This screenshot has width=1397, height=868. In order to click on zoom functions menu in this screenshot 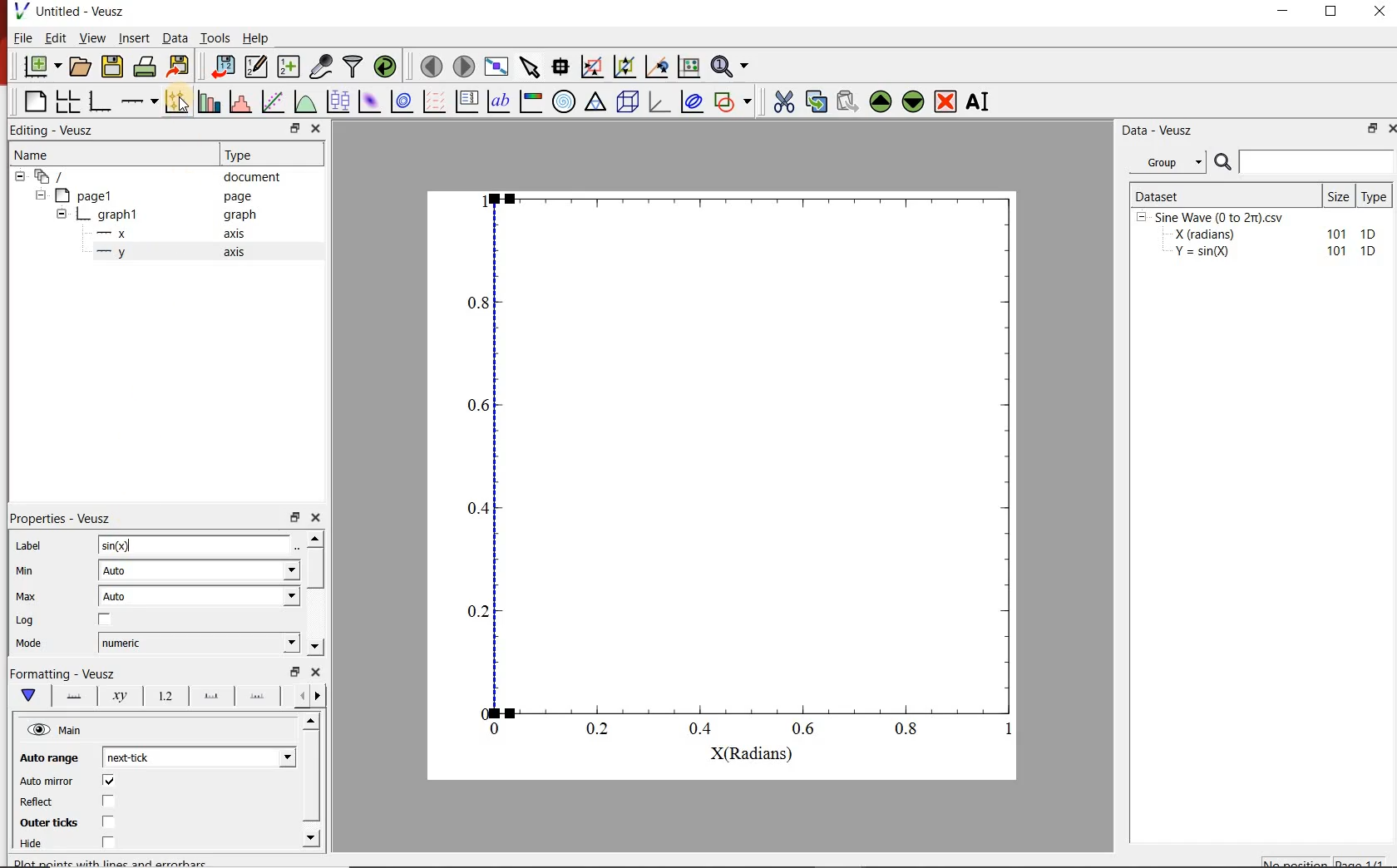, I will do `click(732, 64)`.